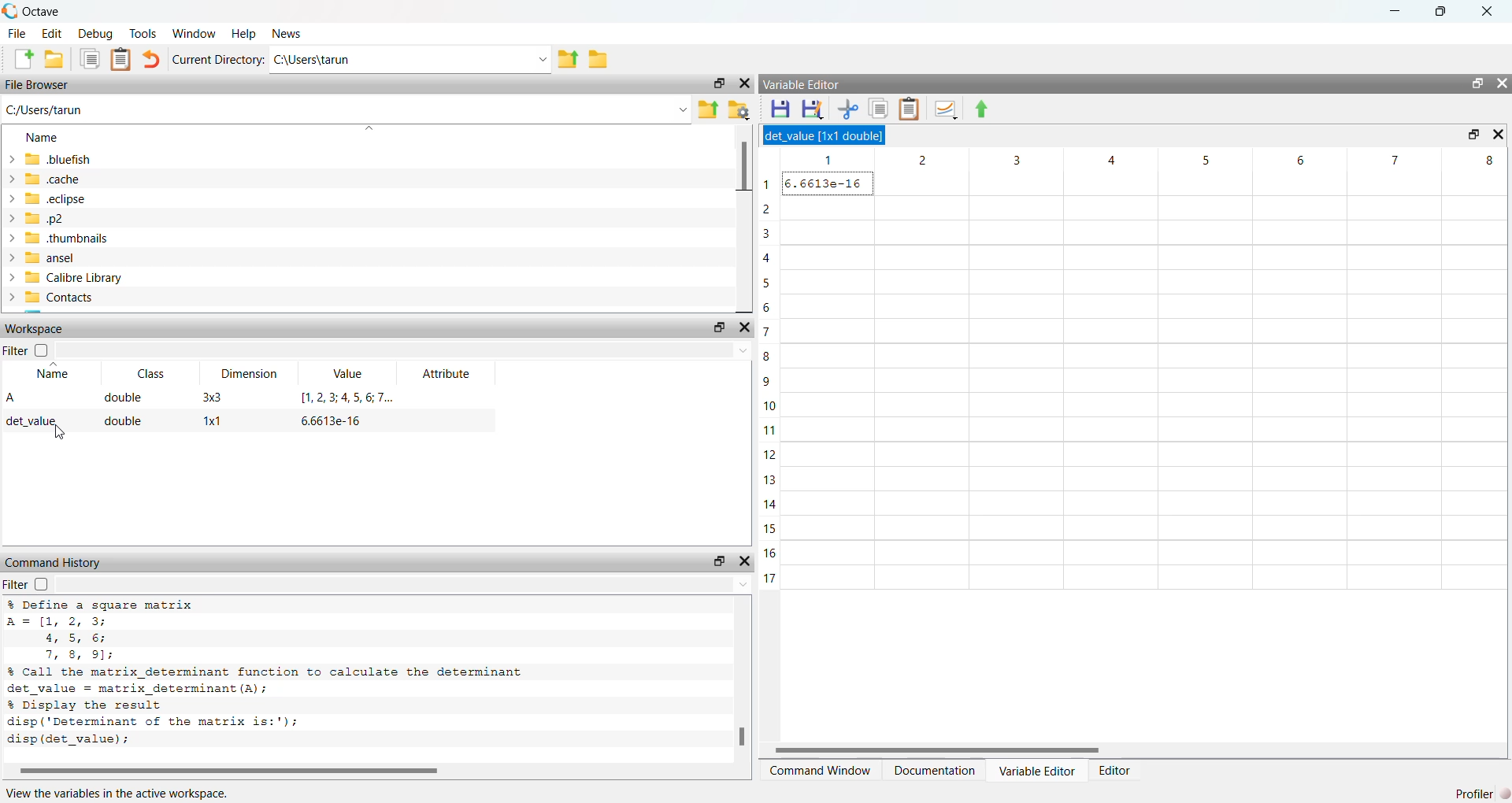  I want to click on filter, so click(15, 585).